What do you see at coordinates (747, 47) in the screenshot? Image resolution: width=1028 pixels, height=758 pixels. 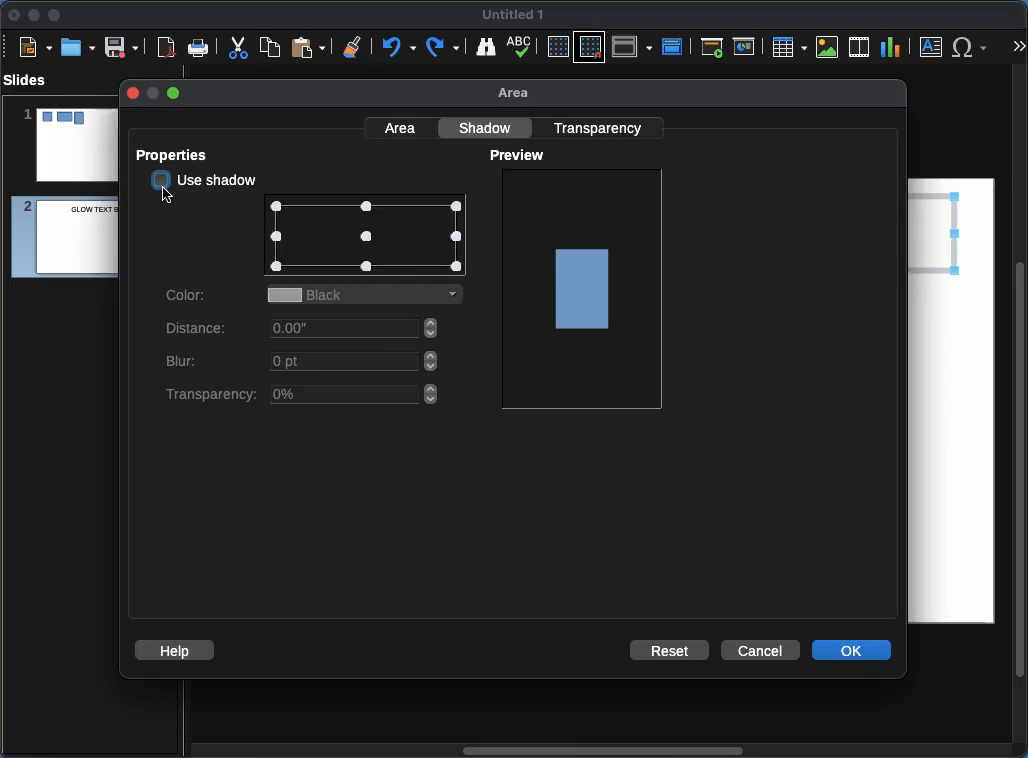 I see `Current slide` at bounding box center [747, 47].